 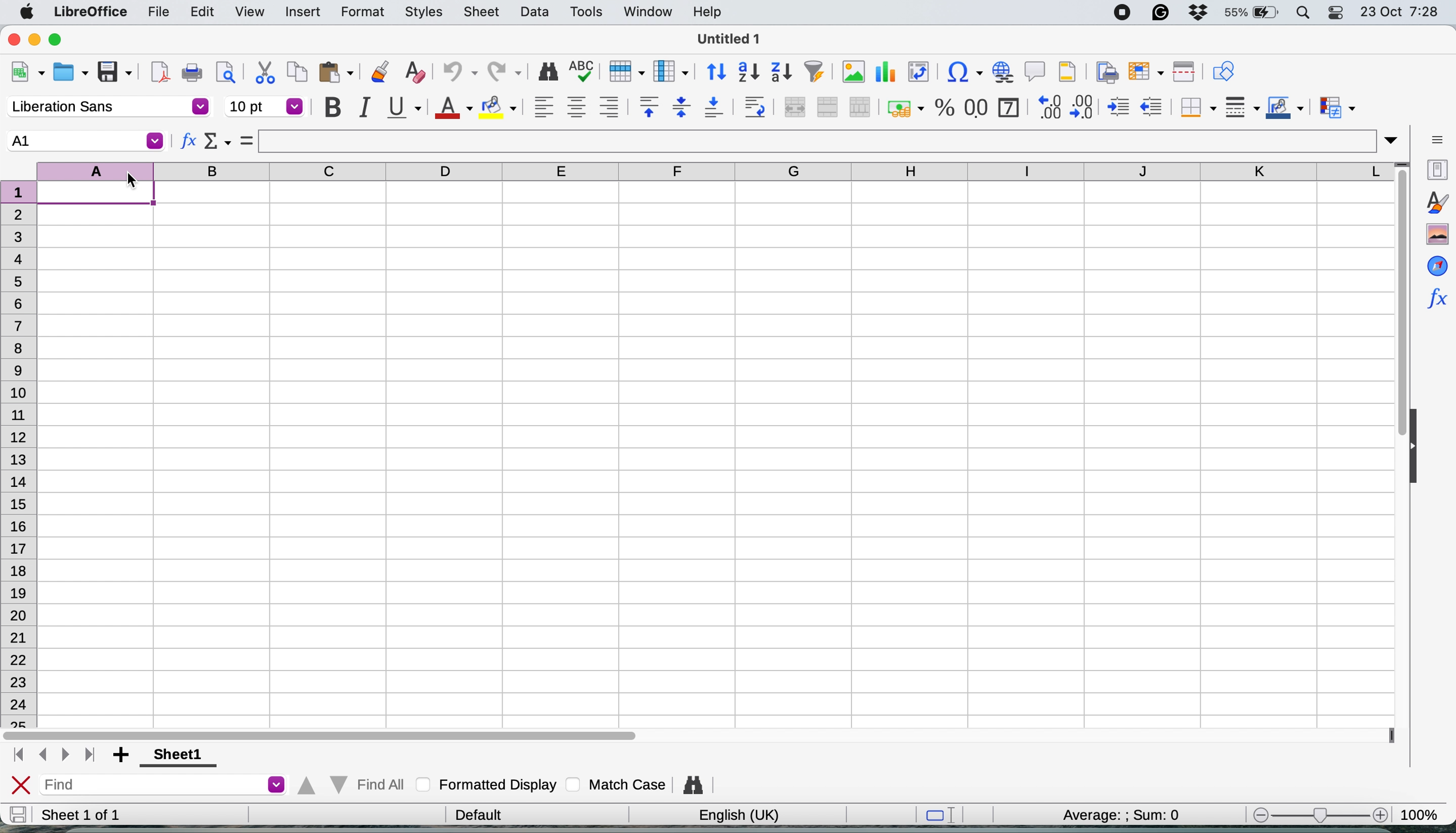 What do you see at coordinates (104, 106) in the screenshot?
I see `font` at bounding box center [104, 106].